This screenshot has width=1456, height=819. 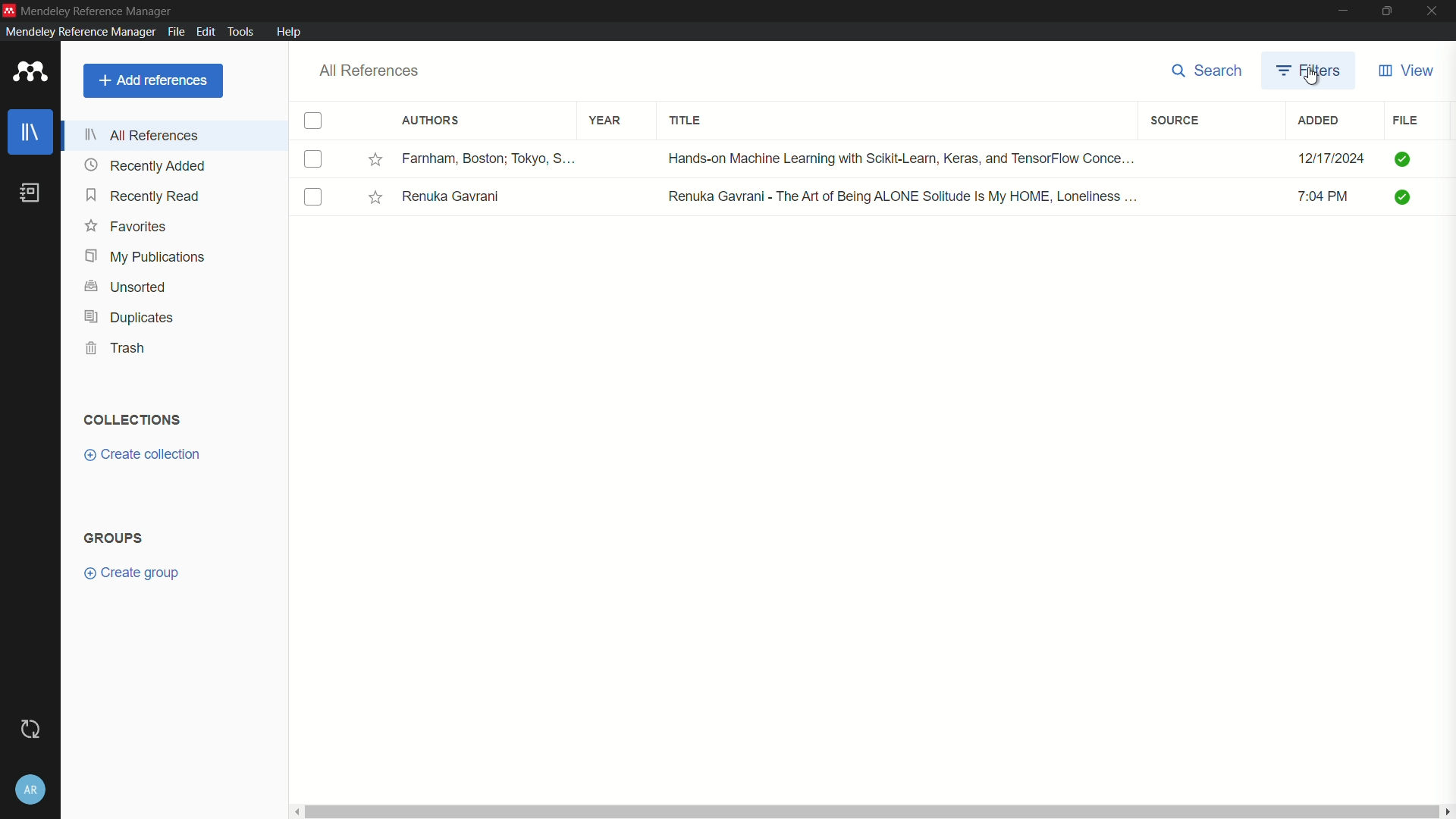 What do you see at coordinates (240, 32) in the screenshot?
I see `tools menu` at bounding box center [240, 32].